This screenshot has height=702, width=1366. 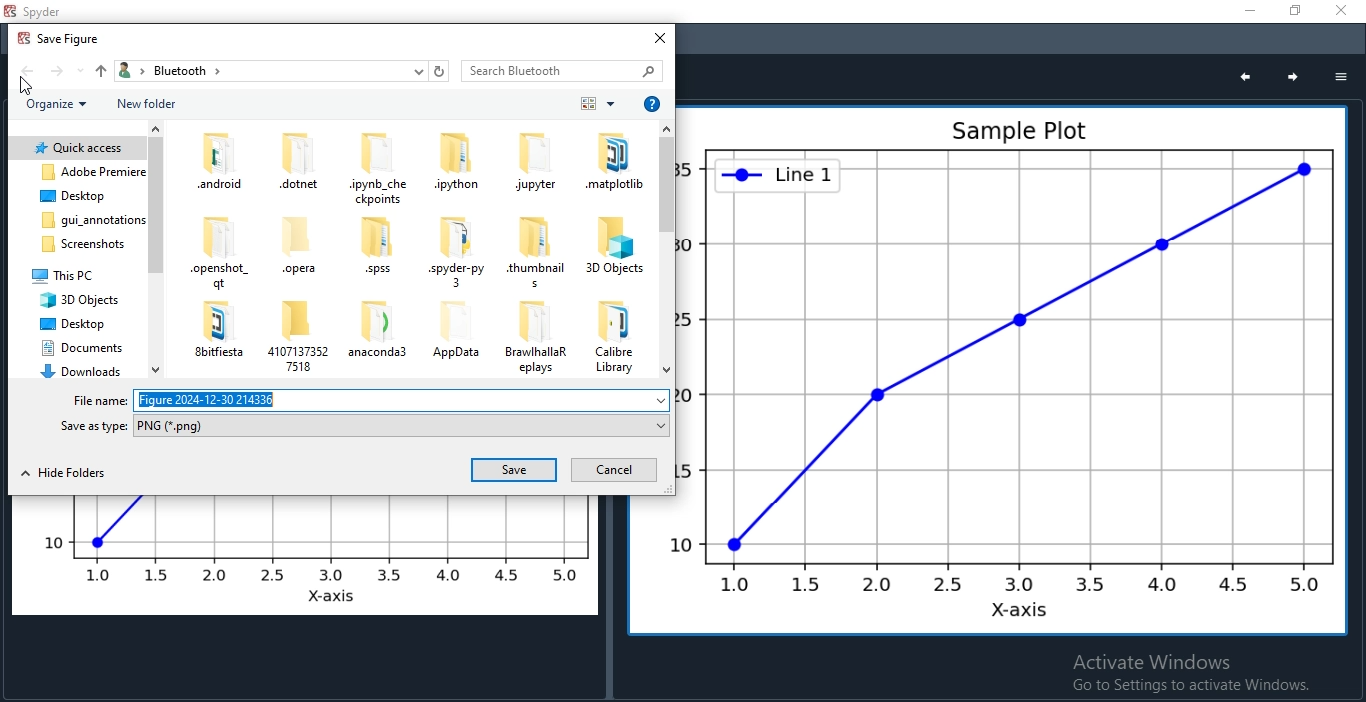 What do you see at coordinates (364, 426) in the screenshot?
I see `save as type` at bounding box center [364, 426].